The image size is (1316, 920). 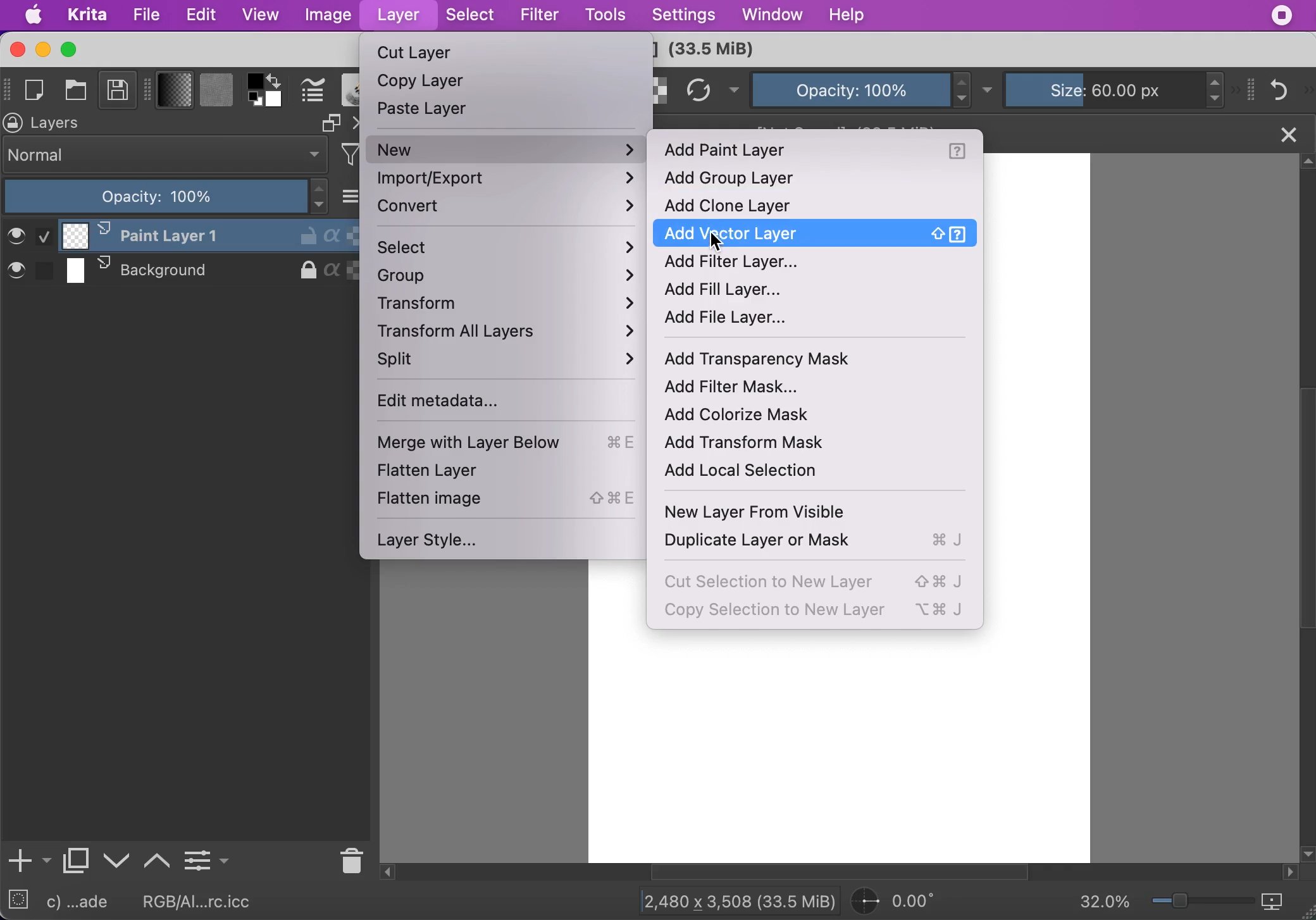 I want to click on map the display canvas size between pixel size or print size, so click(x=1281, y=902).